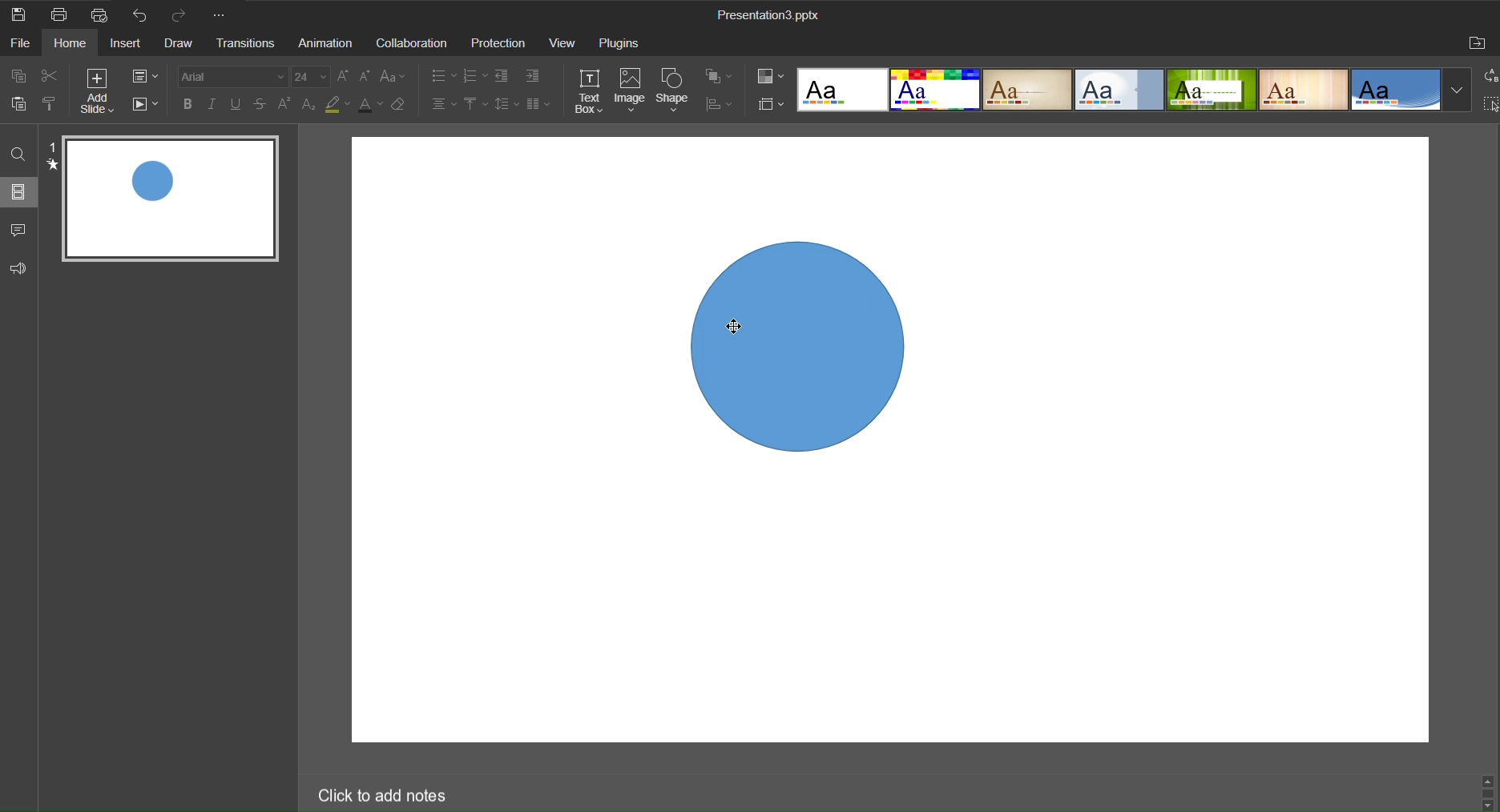 Image resolution: width=1500 pixels, height=812 pixels. I want to click on Lists, so click(476, 74).